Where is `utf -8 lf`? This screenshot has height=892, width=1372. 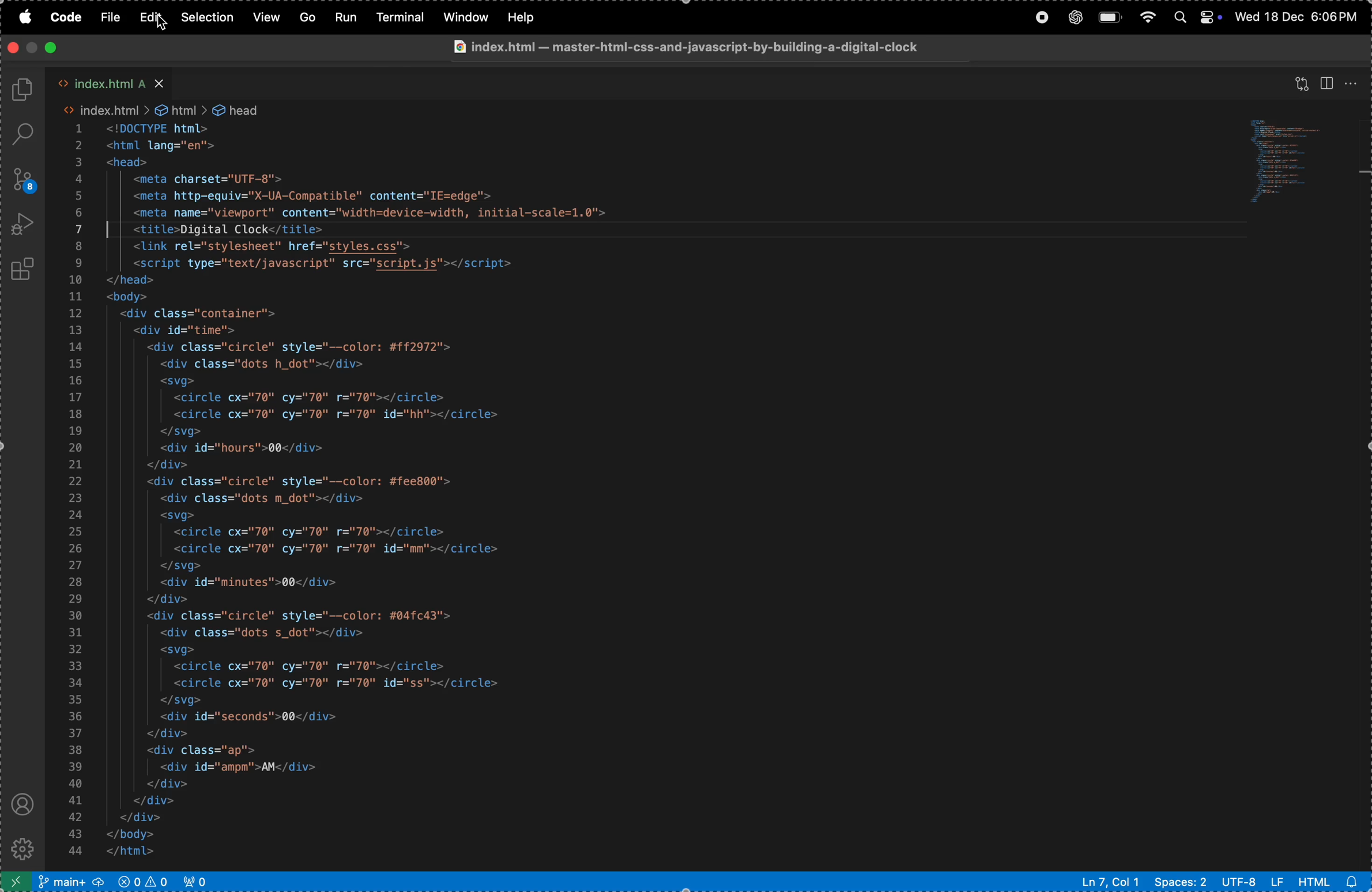
utf -8 lf is located at coordinates (1252, 880).